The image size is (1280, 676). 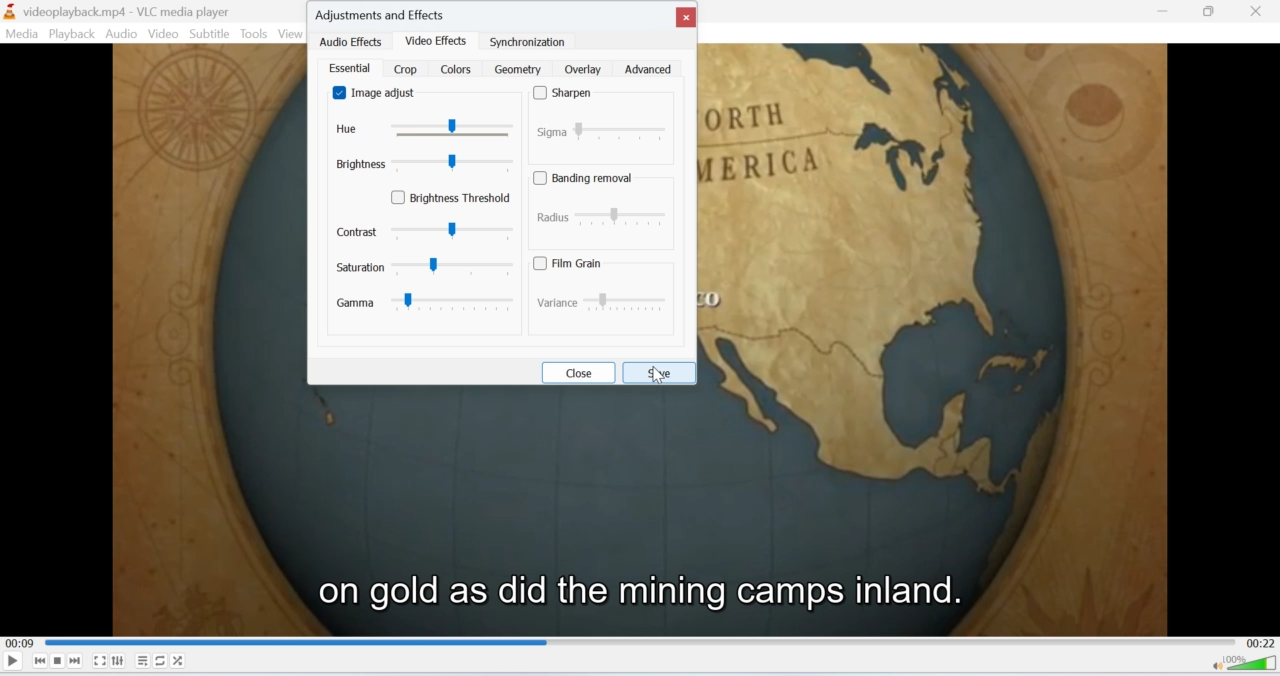 What do you see at coordinates (72, 34) in the screenshot?
I see `Playback` at bounding box center [72, 34].